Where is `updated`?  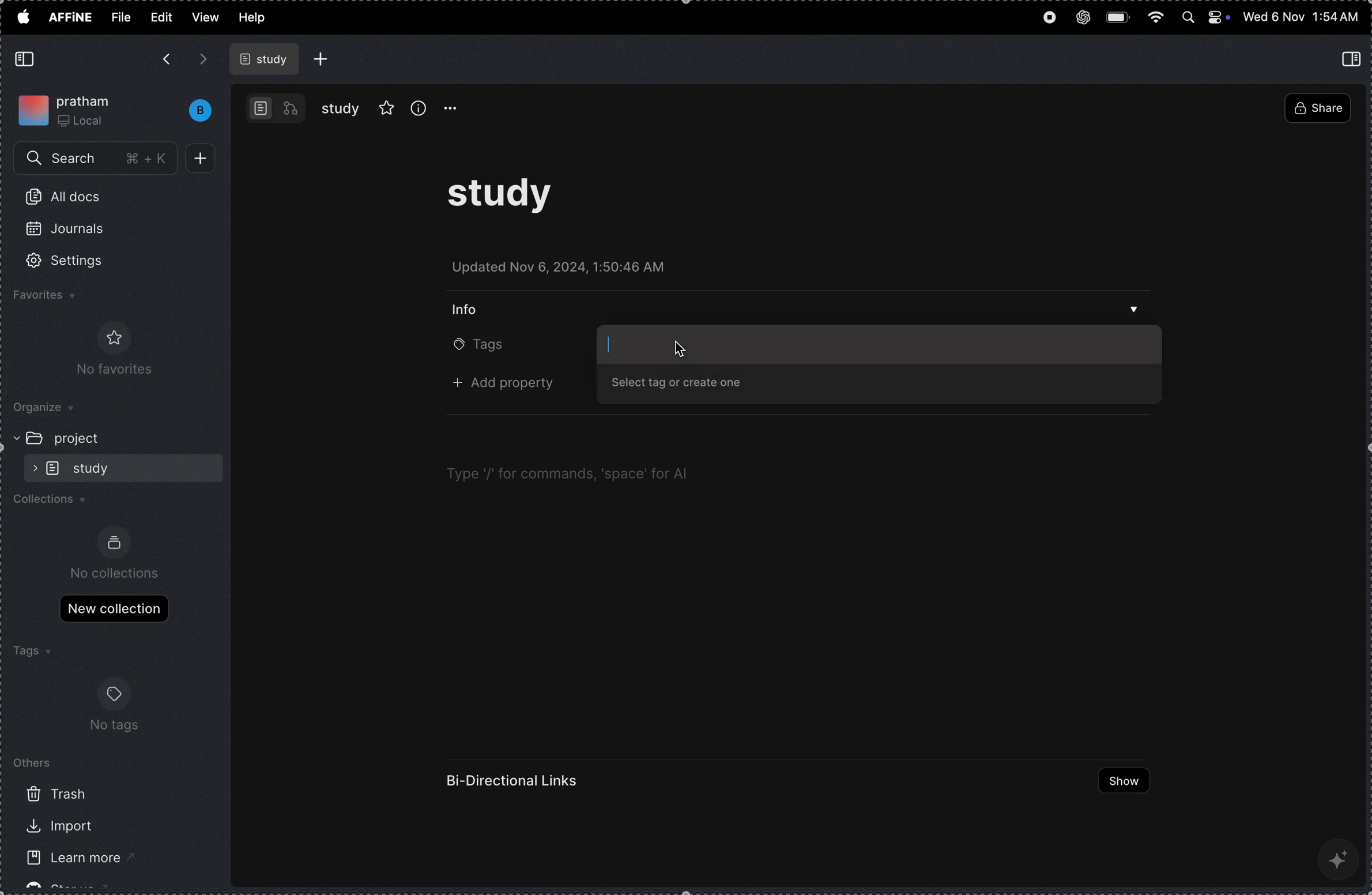
updated is located at coordinates (569, 270).